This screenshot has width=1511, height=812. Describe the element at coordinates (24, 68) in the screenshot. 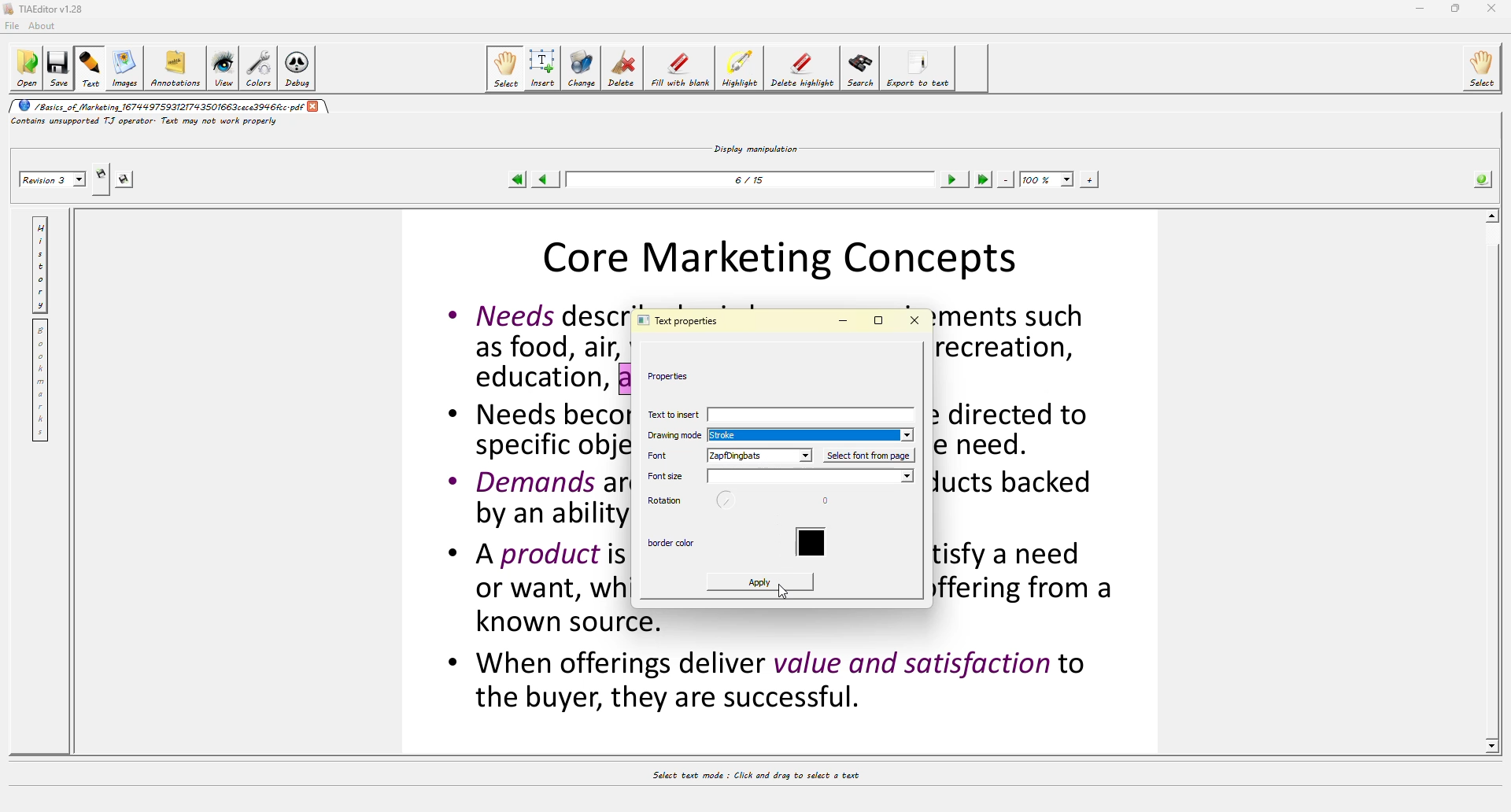

I see `open` at that location.